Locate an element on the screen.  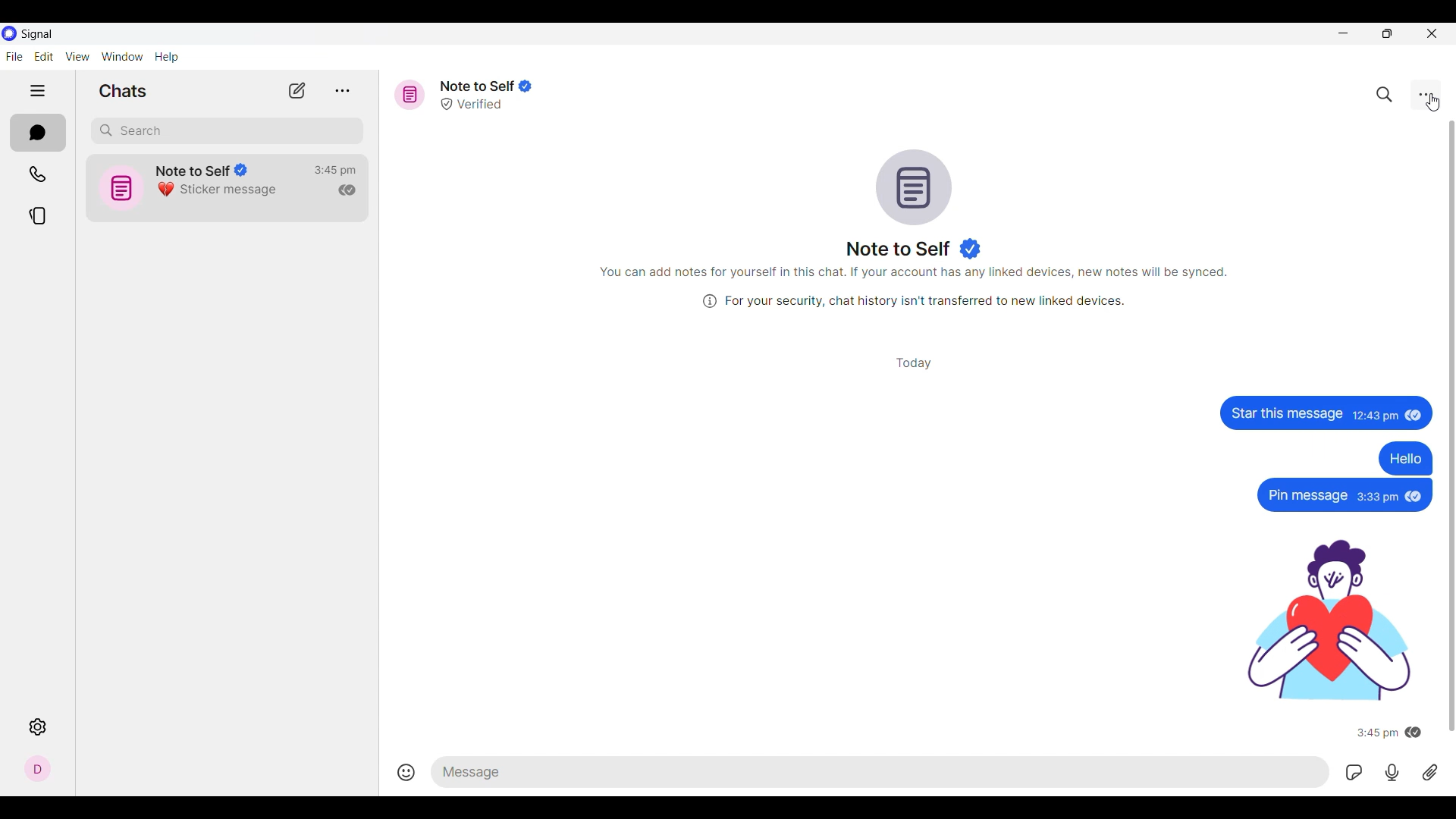
Type in text message is located at coordinates (882, 772).